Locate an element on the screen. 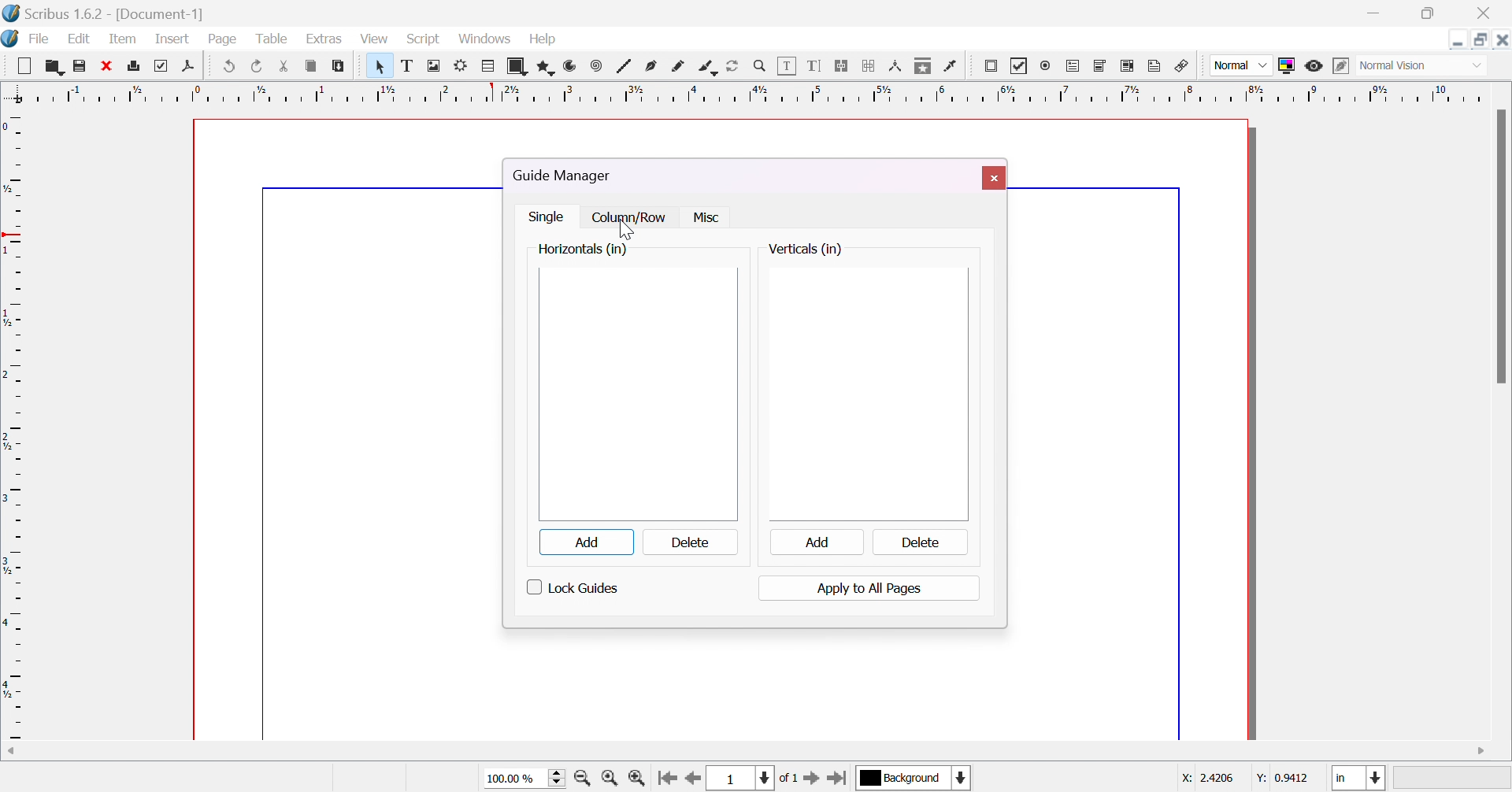 Image resolution: width=1512 pixels, height=792 pixels. select current page is located at coordinates (755, 778).